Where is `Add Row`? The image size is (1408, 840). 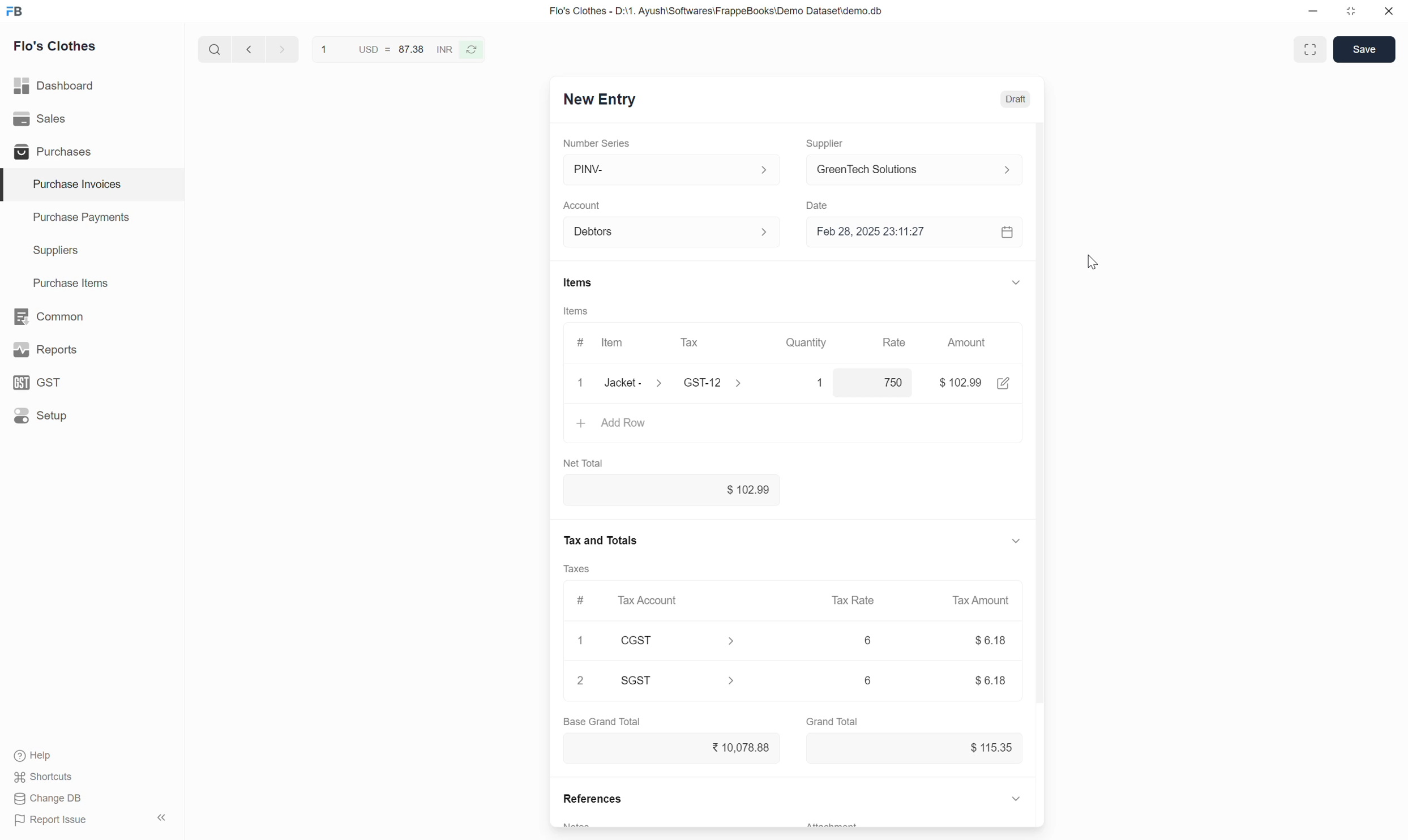
Add Row is located at coordinates (793, 425).